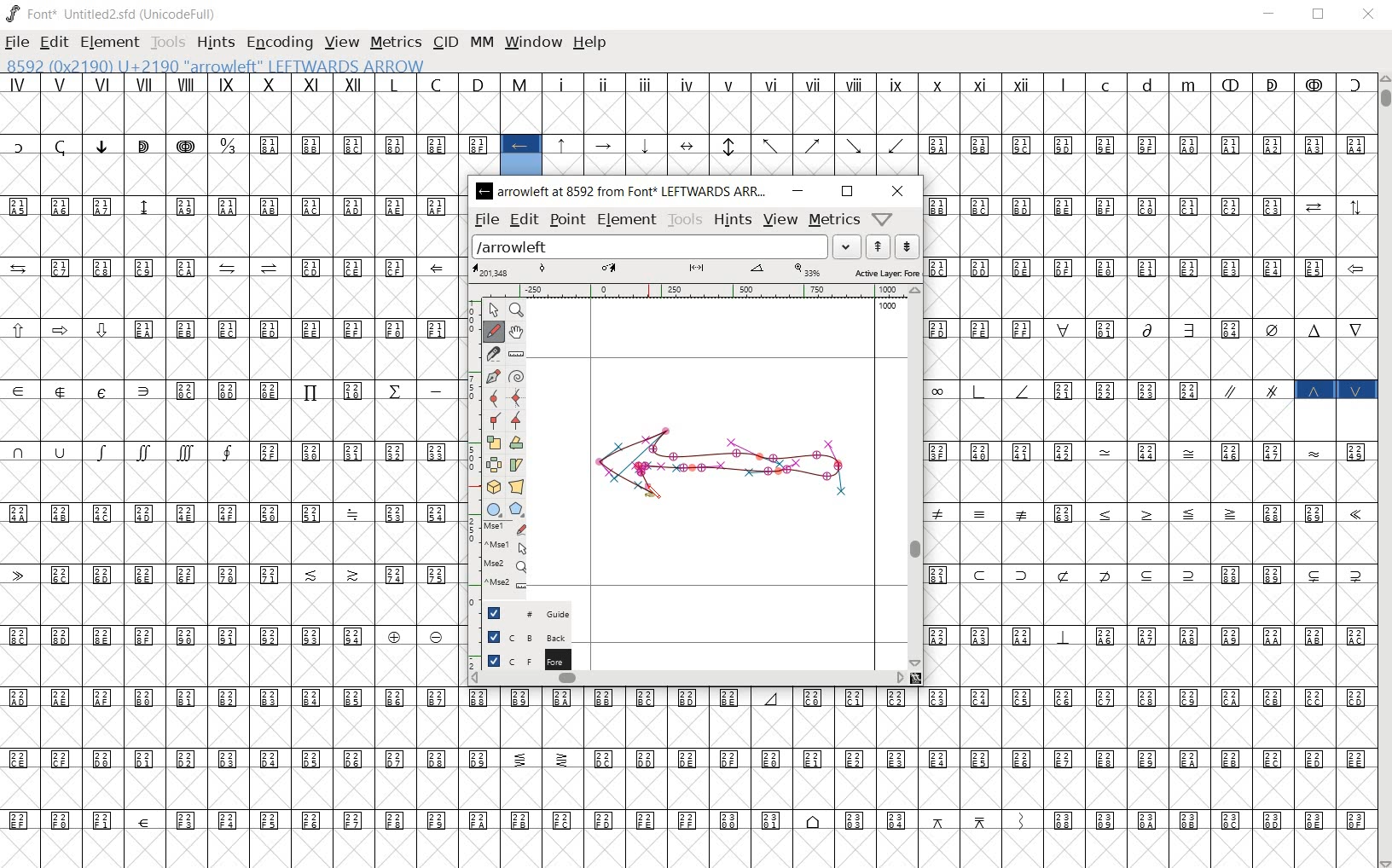  I want to click on Add a corner point, so click(517, 420).